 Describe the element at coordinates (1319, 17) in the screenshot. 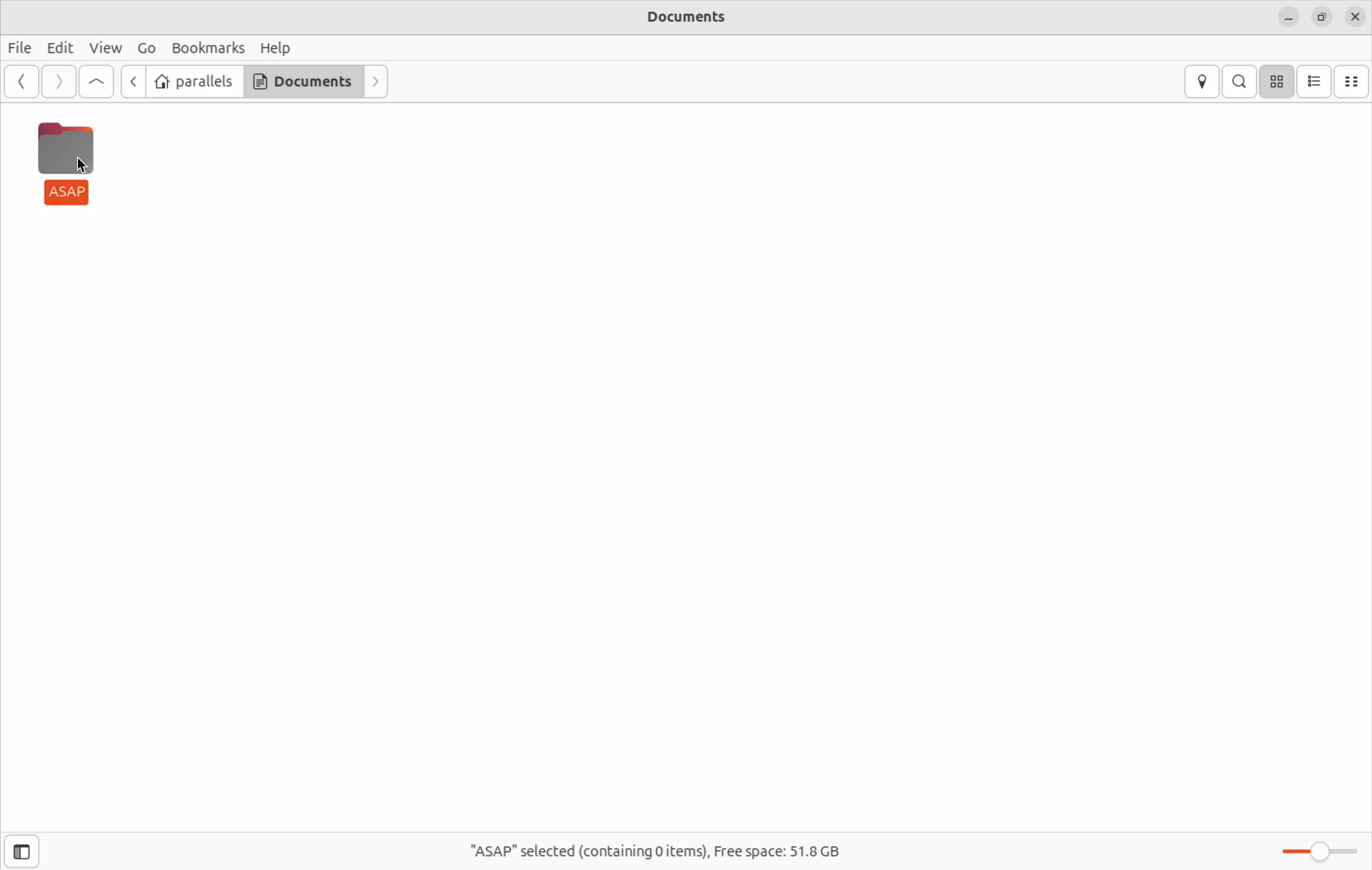

I see `resize` at that location.